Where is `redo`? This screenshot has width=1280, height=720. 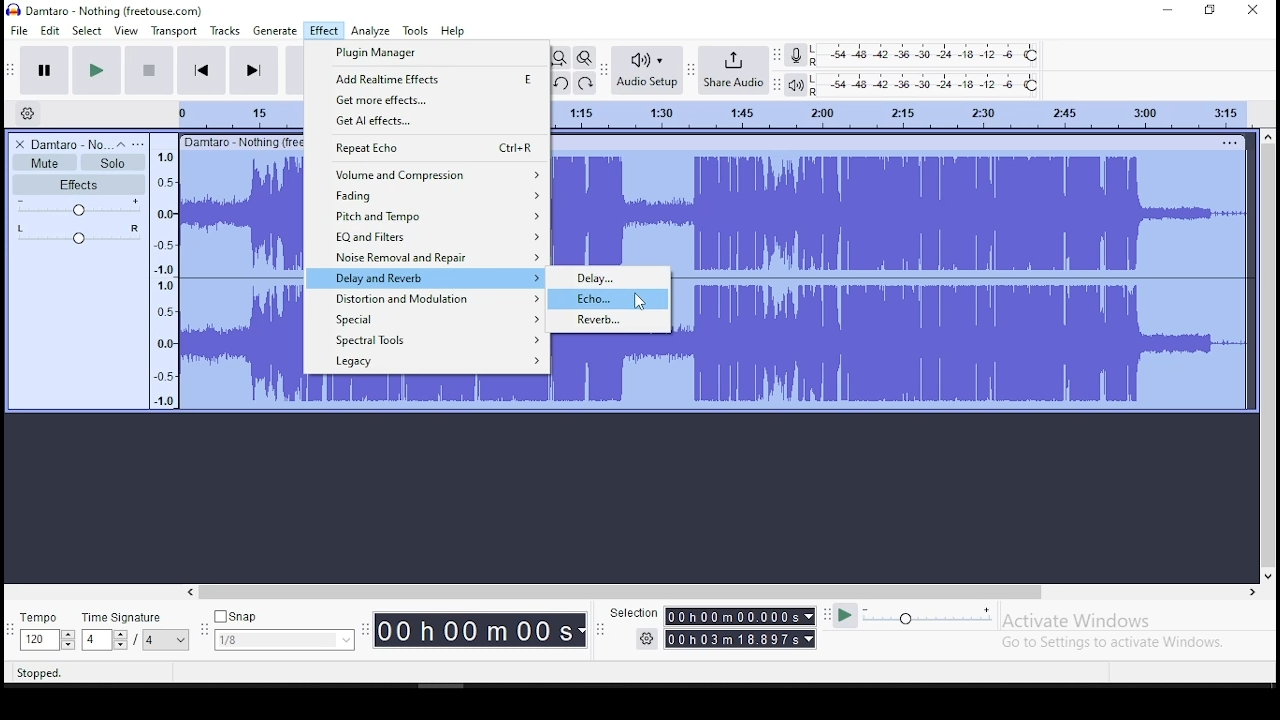
redo is located at coordinates (584, 83).